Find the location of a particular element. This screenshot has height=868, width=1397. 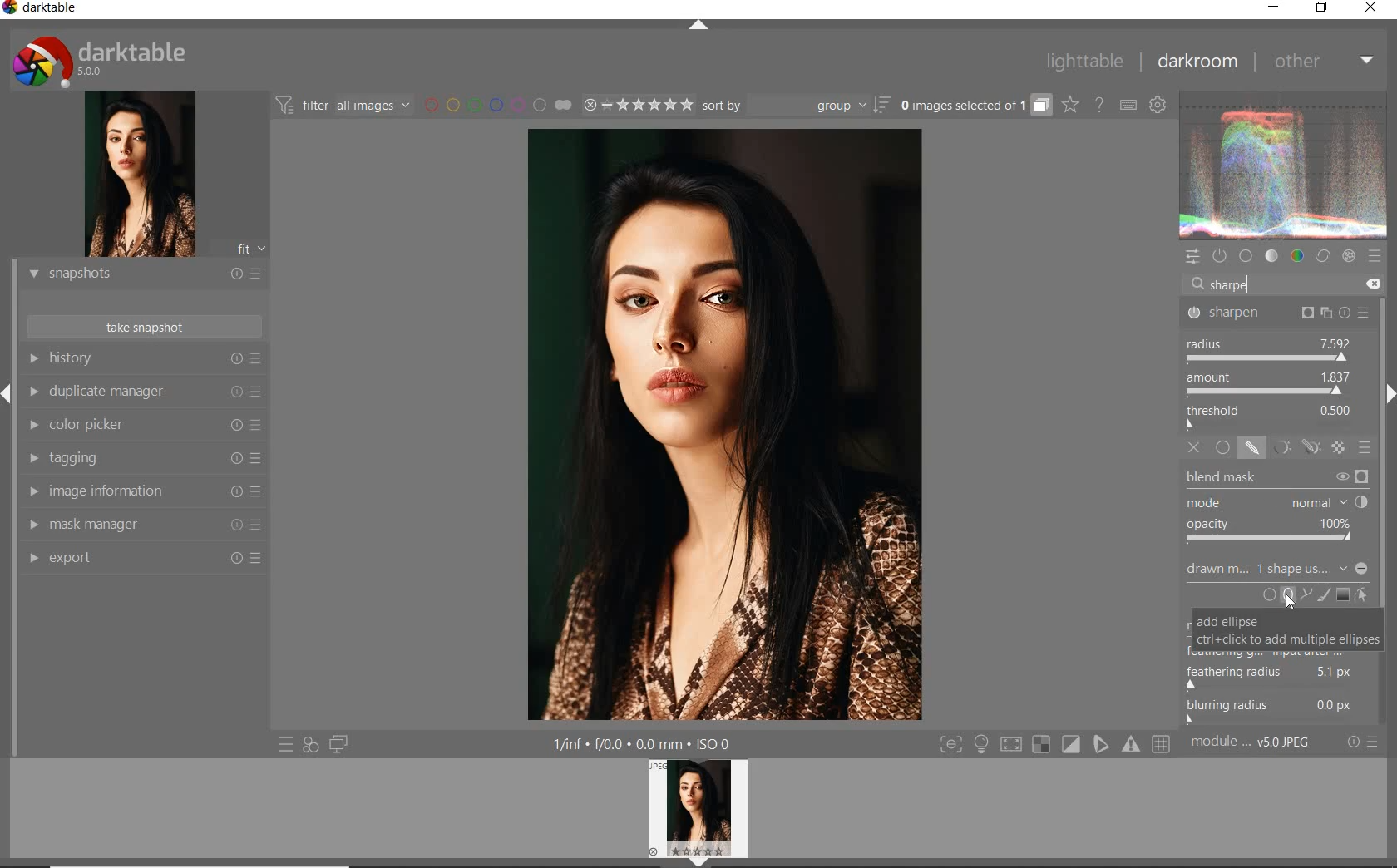

sign is located at coordinates (1103, 745).